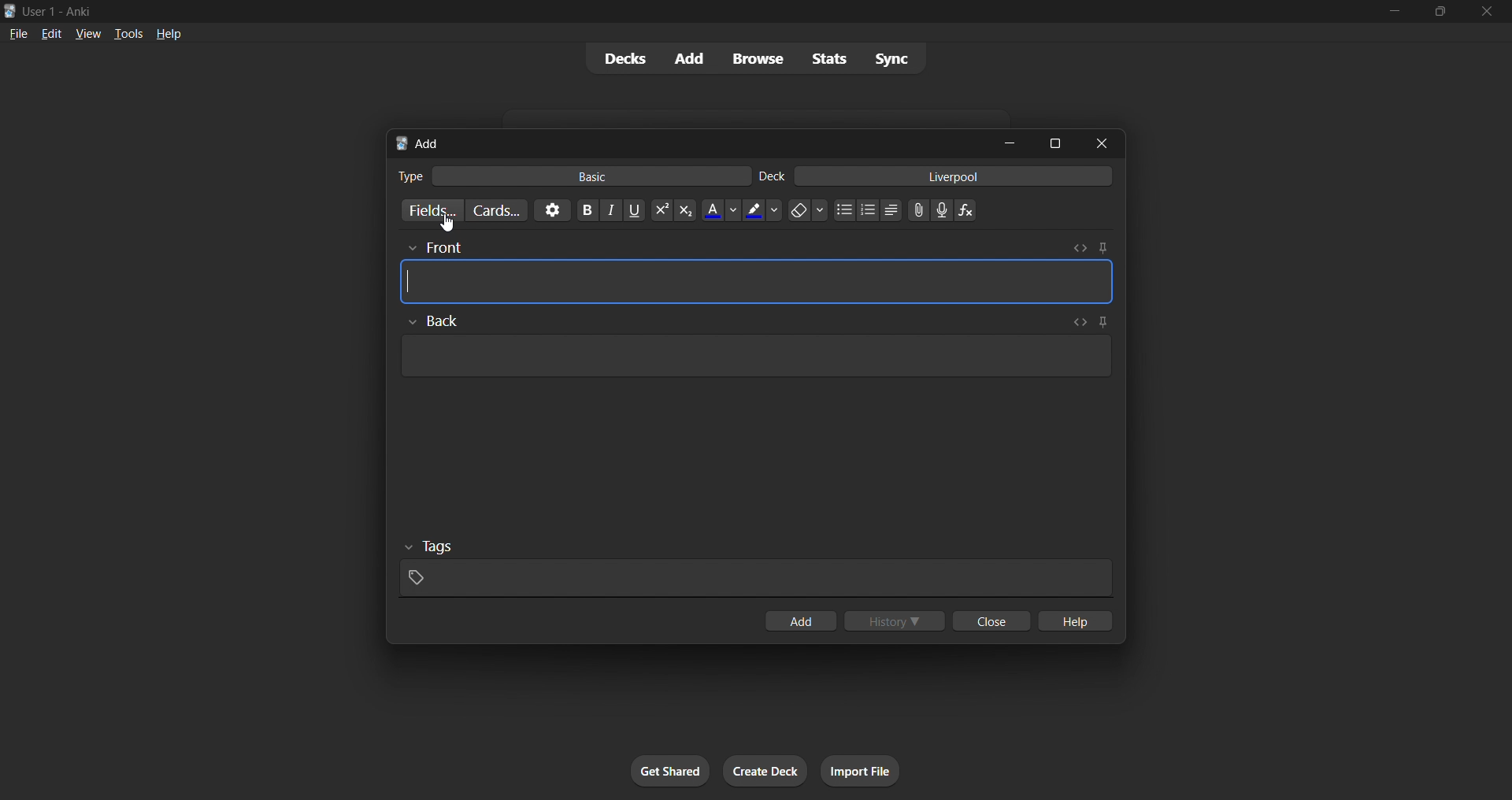 The height and width of the screenshot is (800, 1512). What do you see at coordinates (169, 34) in the screenshot?
I see `help` at bounding box center [169, 34].